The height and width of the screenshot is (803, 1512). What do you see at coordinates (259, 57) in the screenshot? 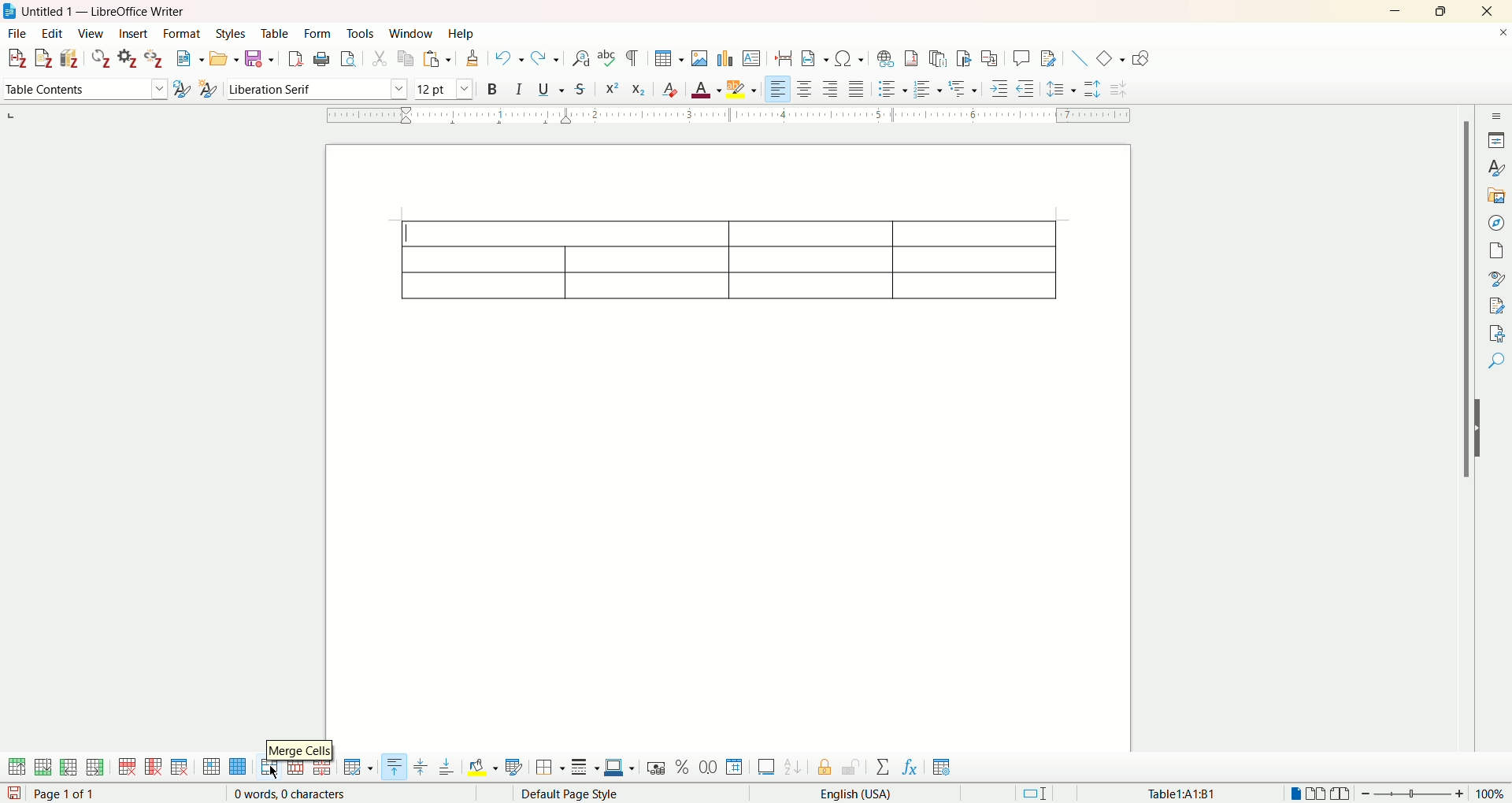
I see `save` at bounding box center [259, 57].